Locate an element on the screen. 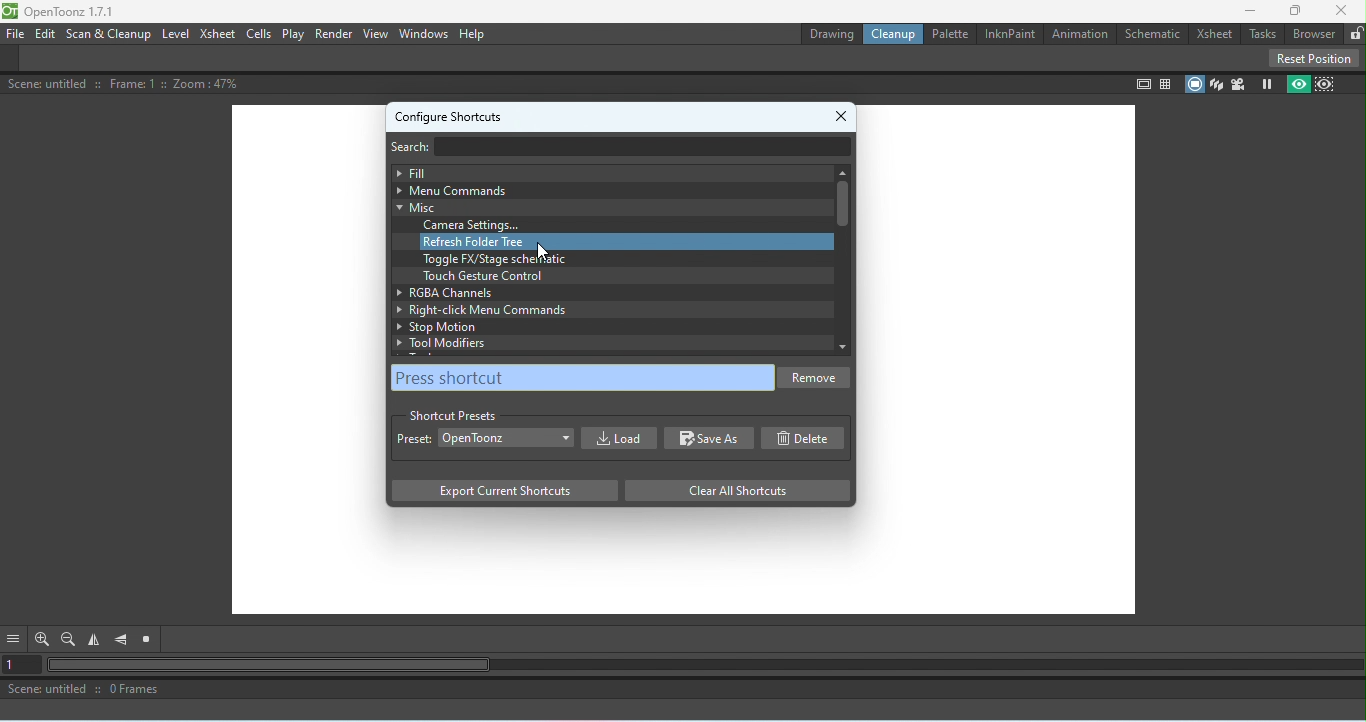 This screenshot has height=722, width=1366. Save As is located at coordinates (710, 439).